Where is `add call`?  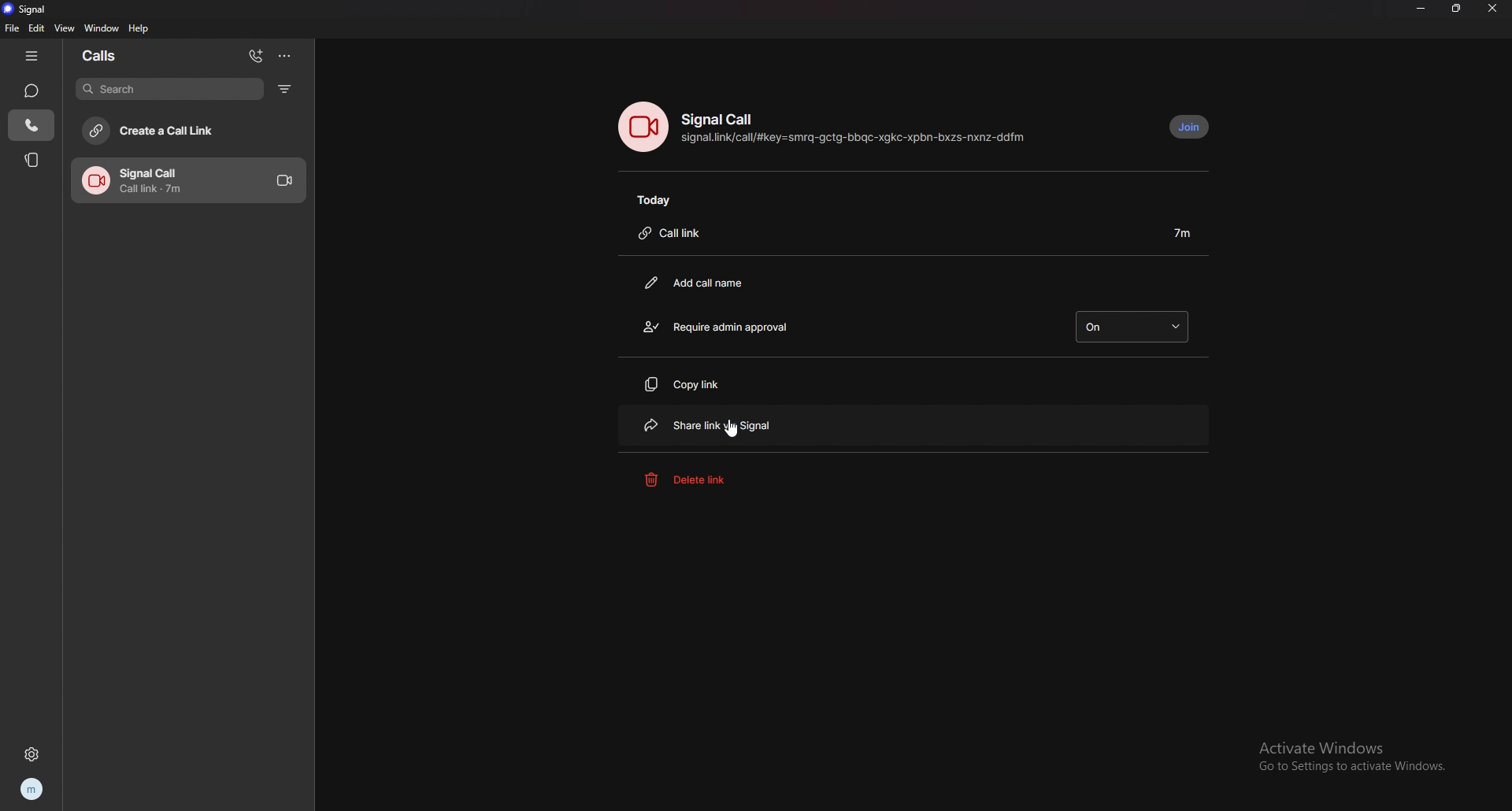 add call is located at coordinates (255, 55).